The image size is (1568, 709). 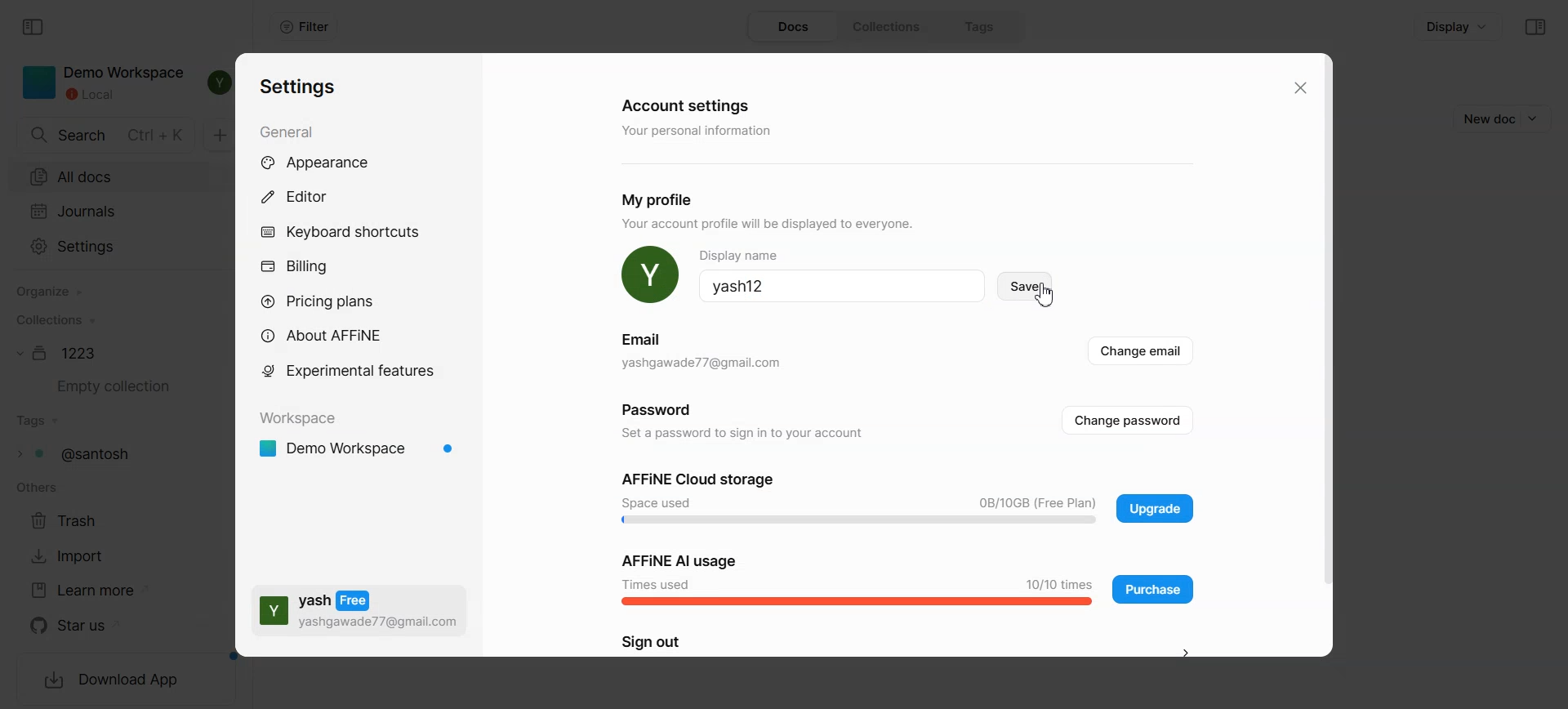 I want to click on others, so click(x=34, y=488).